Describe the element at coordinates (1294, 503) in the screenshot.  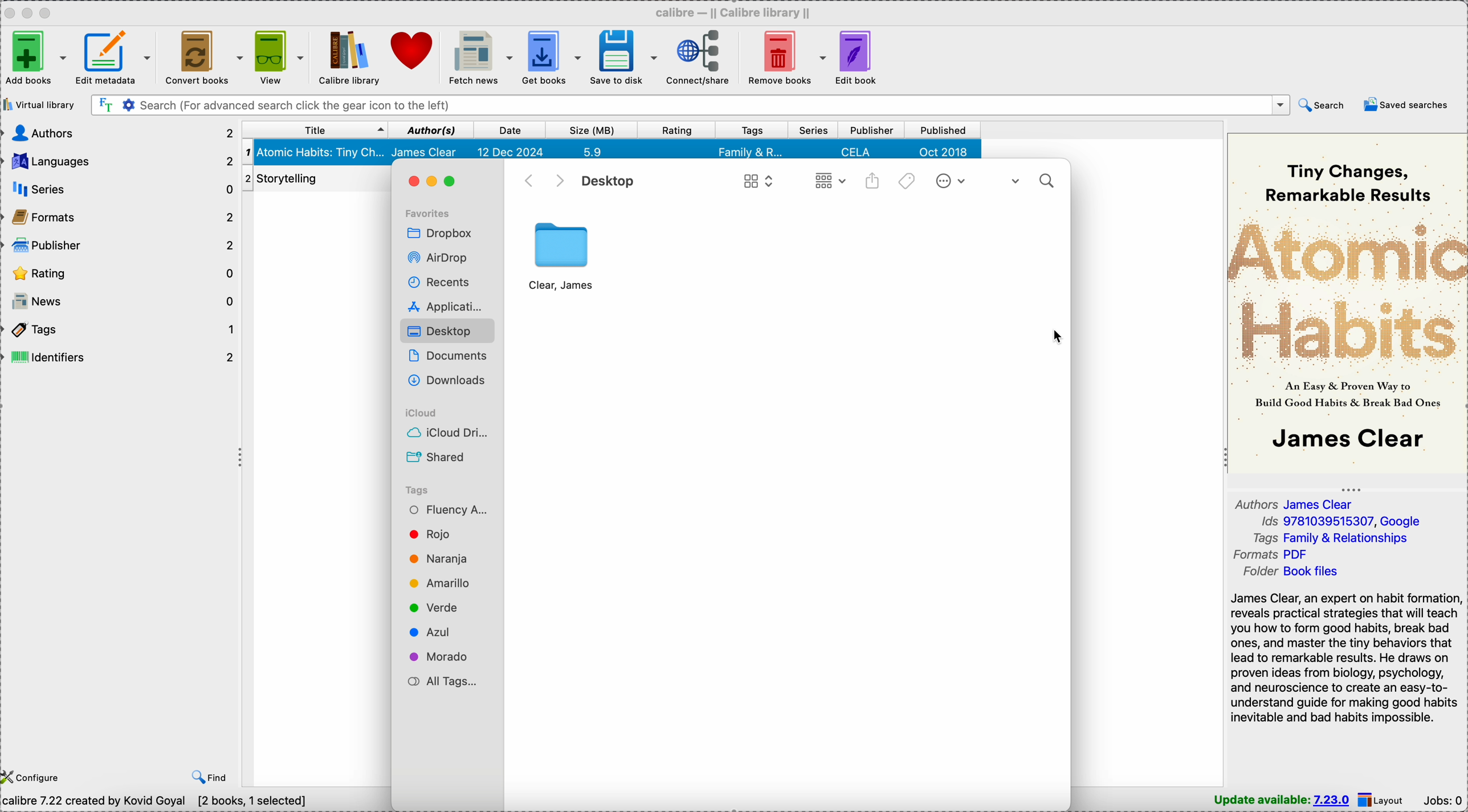
I see `author James Clear` at that location.